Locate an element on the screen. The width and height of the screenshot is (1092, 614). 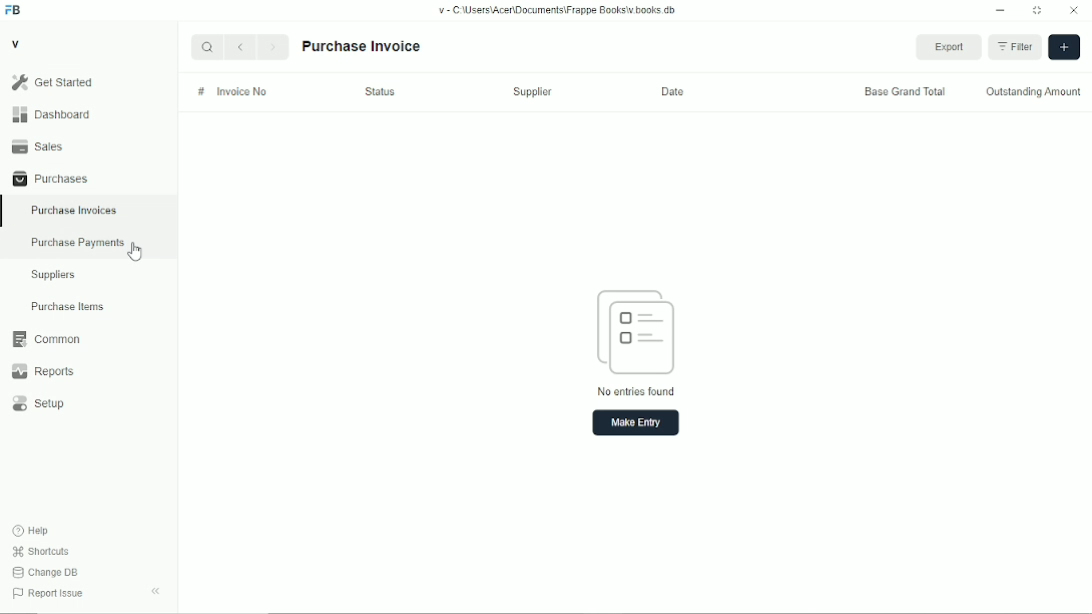
Reports is located at coordinates (89, 371).